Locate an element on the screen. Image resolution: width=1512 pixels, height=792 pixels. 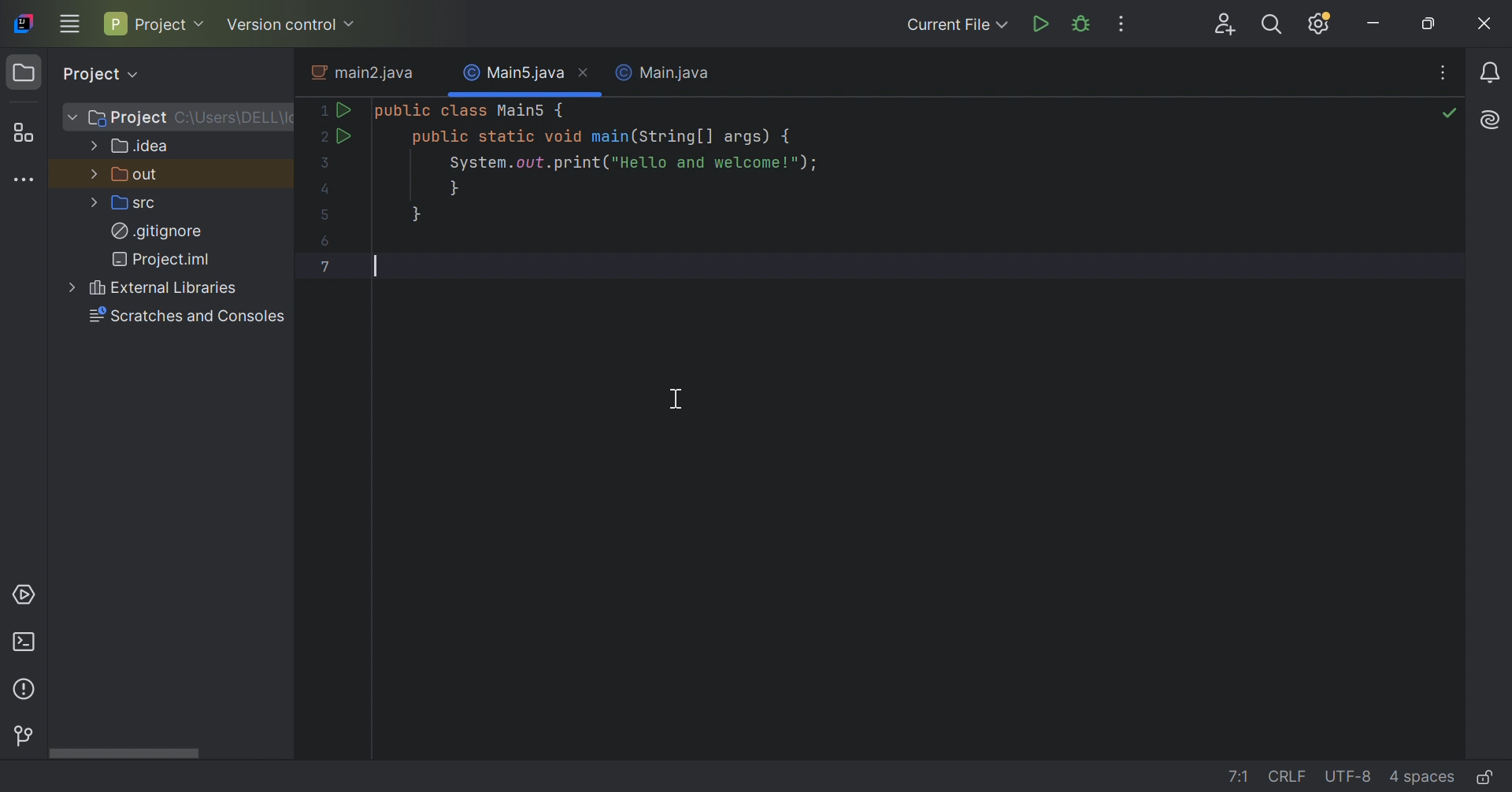
Search everywhere is located at coordinates (1271, 27).